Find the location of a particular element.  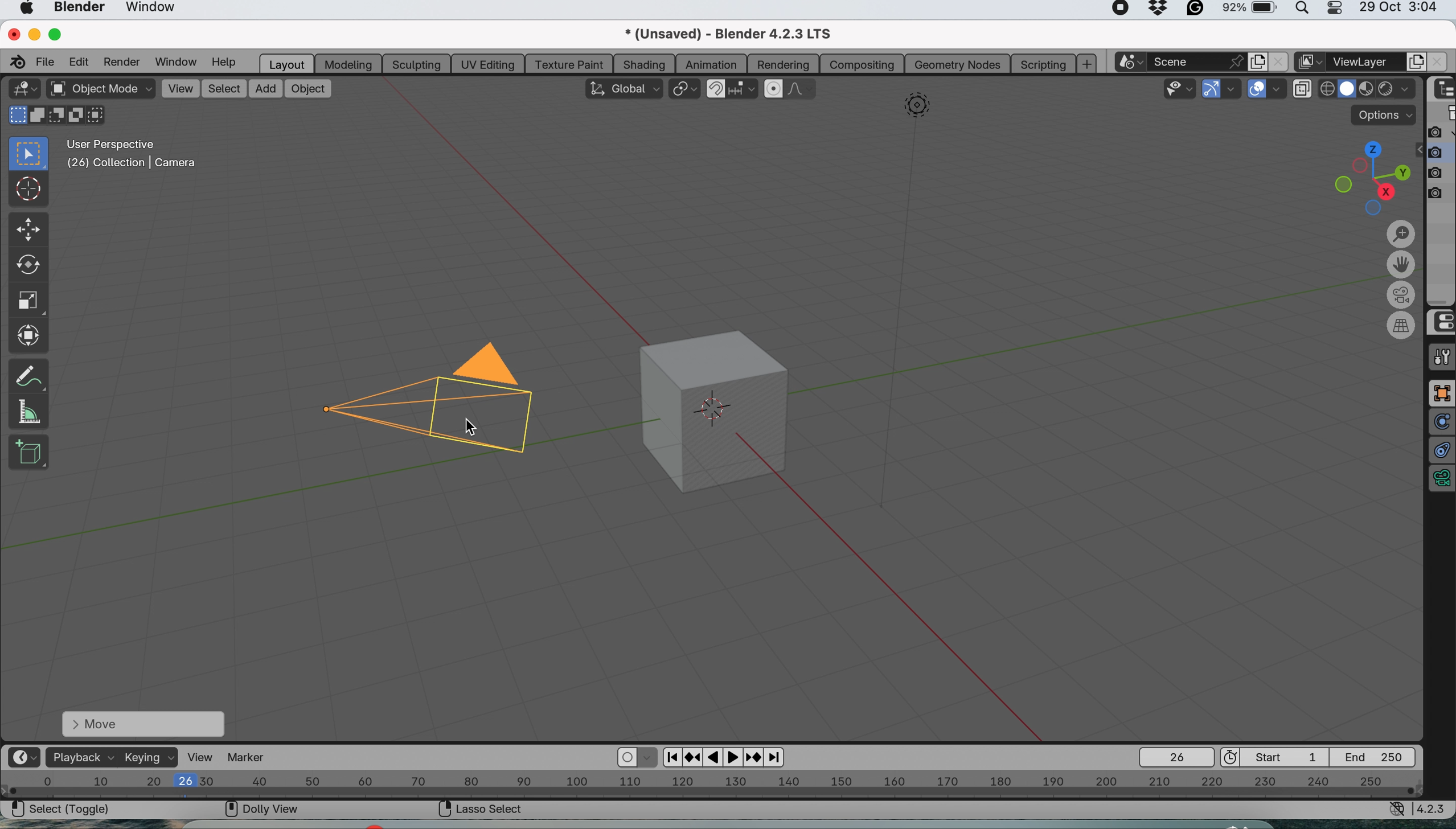

toggle xray is located at coordinates (1305, 91).